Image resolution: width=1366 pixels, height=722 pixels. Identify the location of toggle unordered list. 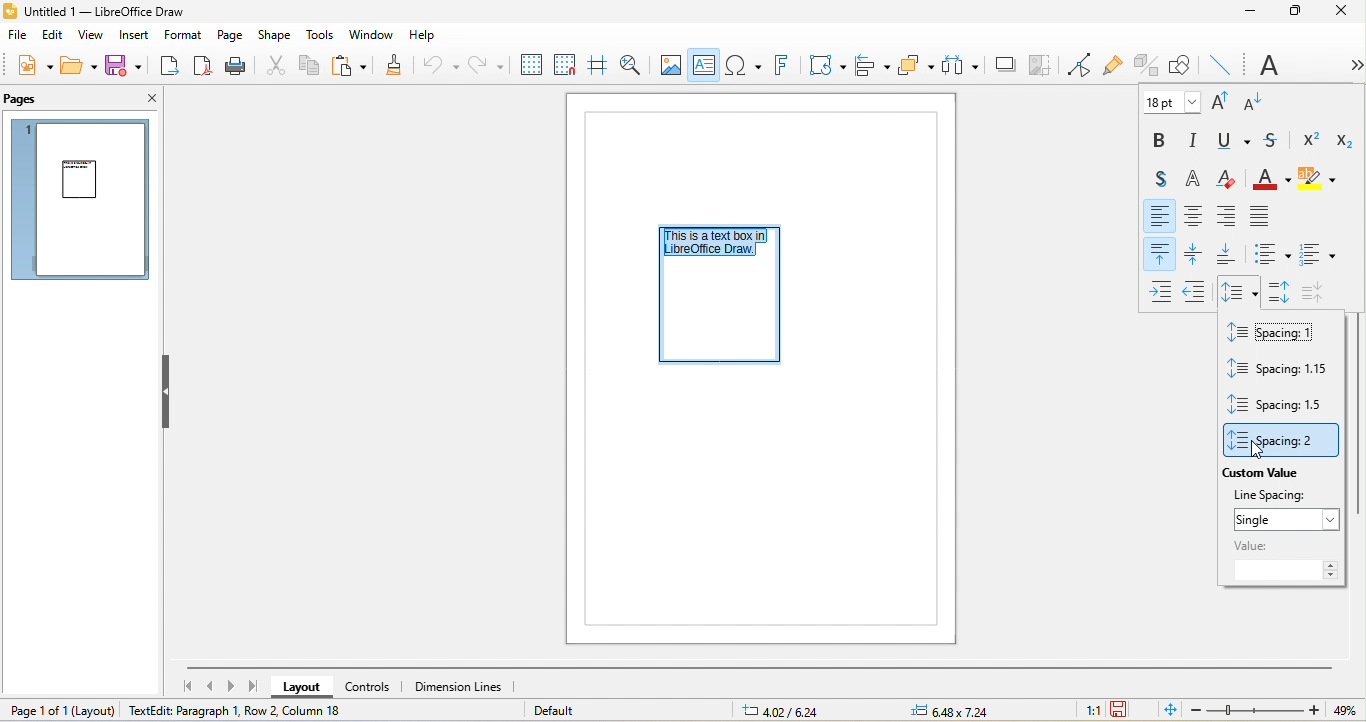
(1269, 252).